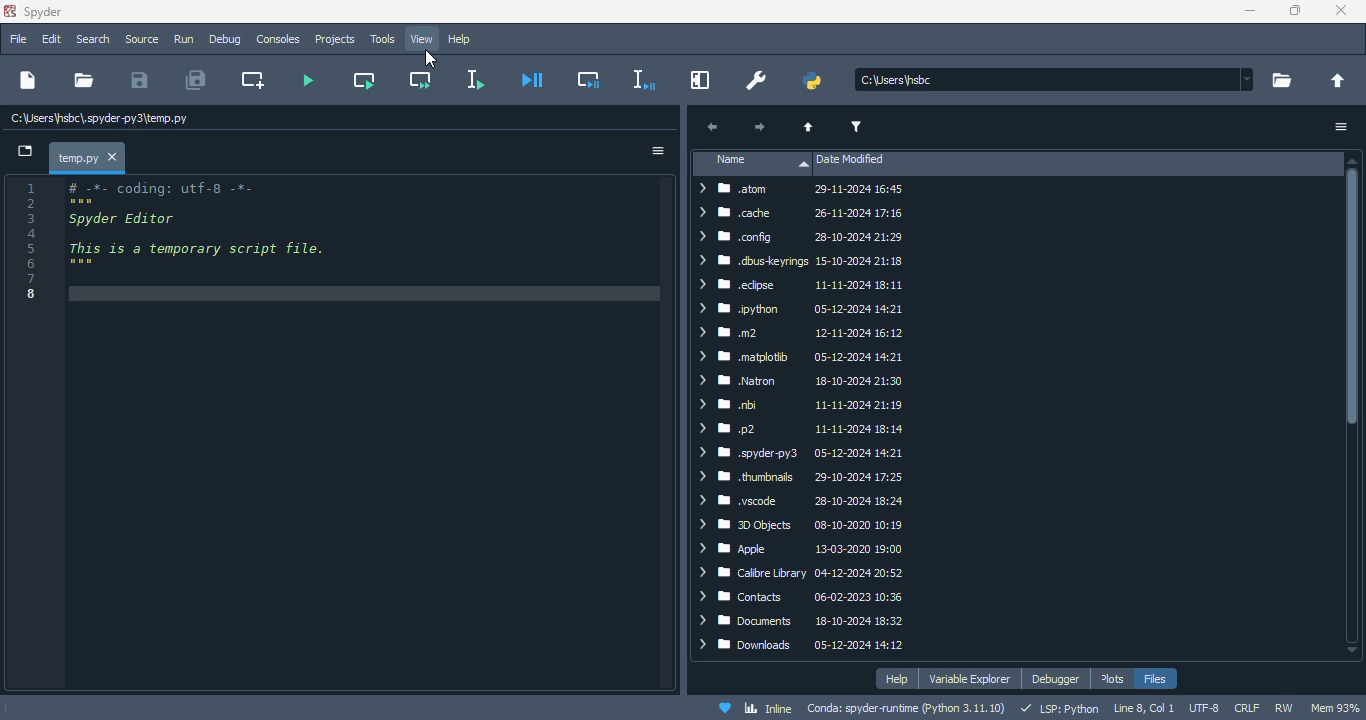 The width and height of the screenshot is (1366, 720). I want to click on browse tabs, so click(26, 152).